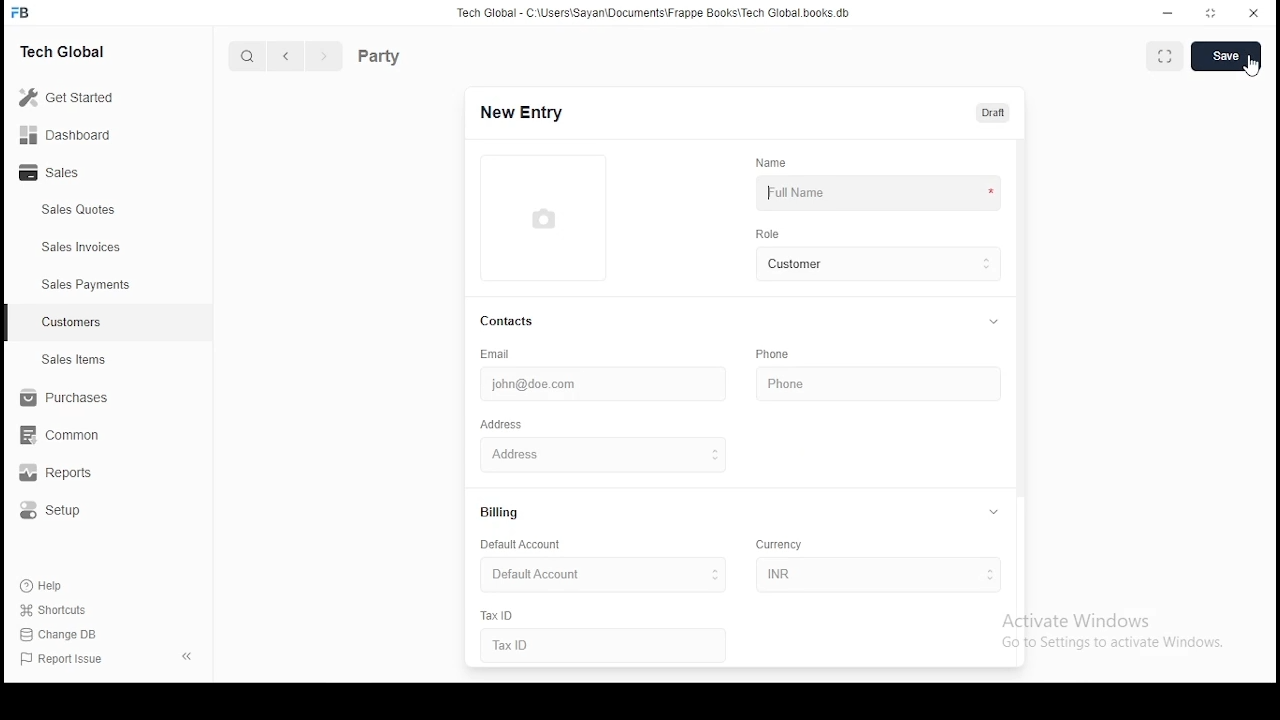  What do you see at coordinates (576, 452) in the screenshot?
I see `address` at bounding box center [576, 452].